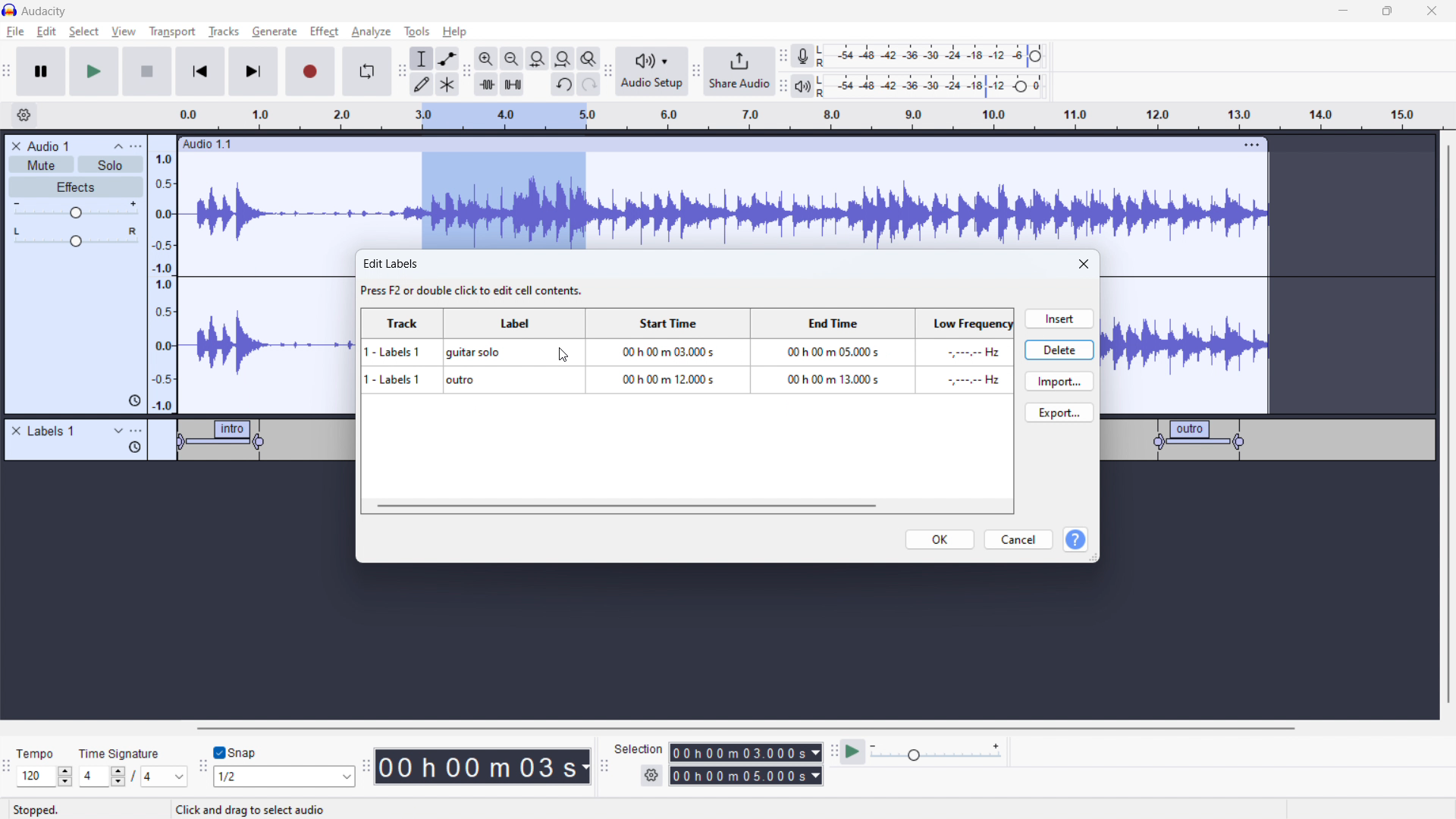 Image resolution: width=1456 pixels, height=819 pixels. I want to click on audio setup toolbar, so click(607, 71).